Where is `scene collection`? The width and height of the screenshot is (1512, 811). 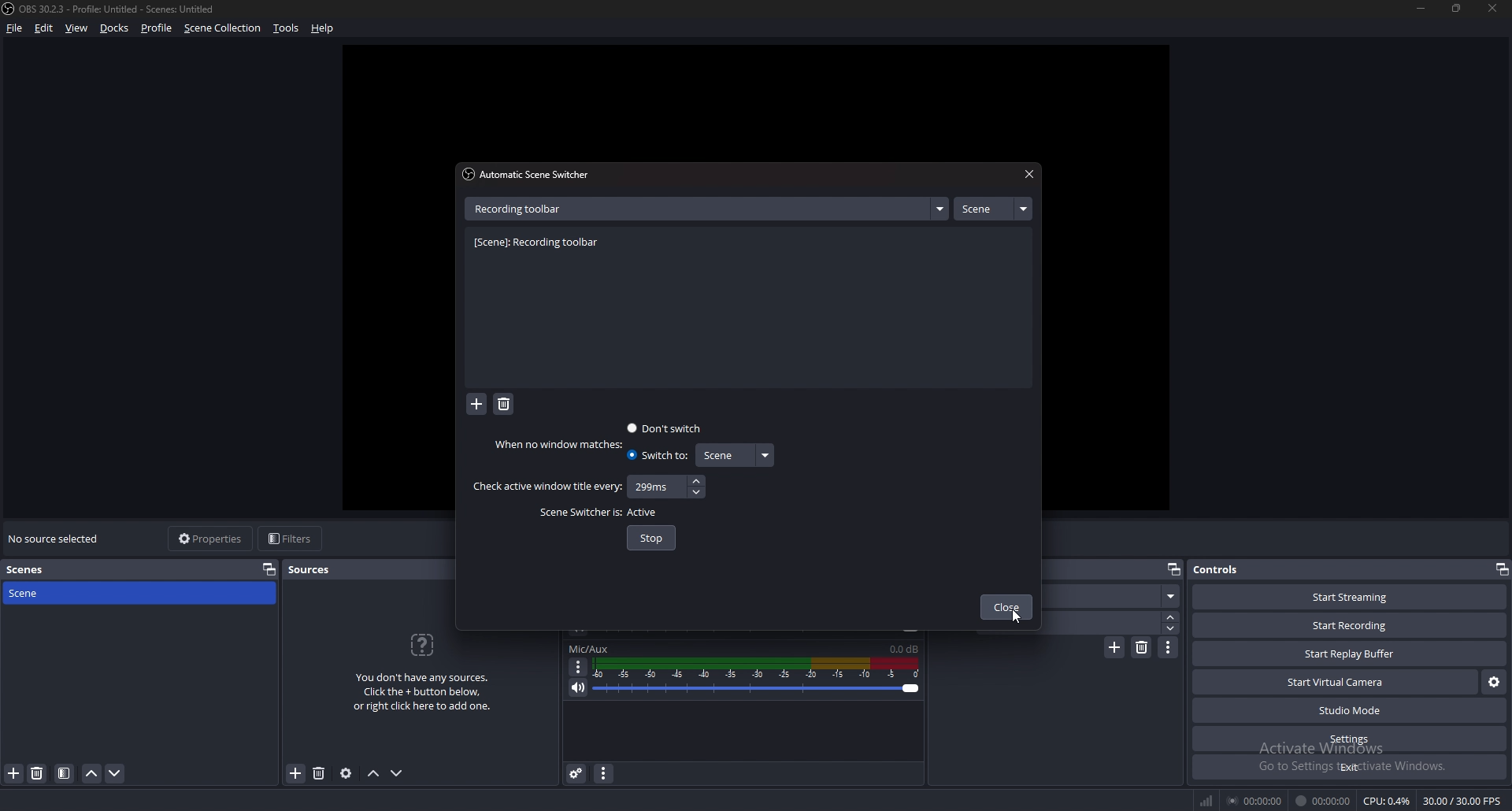
scene collection is located at coordinates (224, 27).